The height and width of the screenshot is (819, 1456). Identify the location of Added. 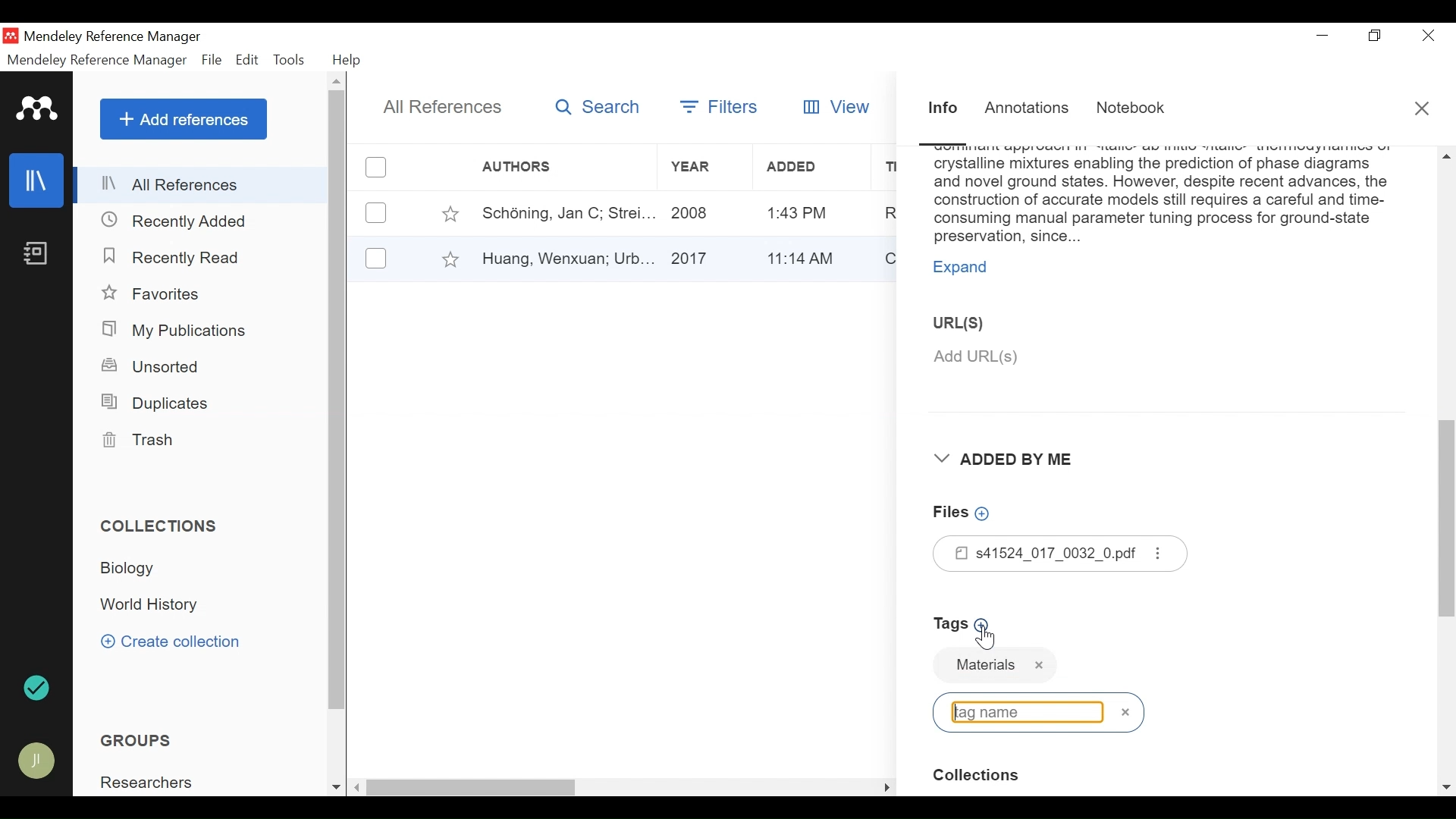
(808, 212).